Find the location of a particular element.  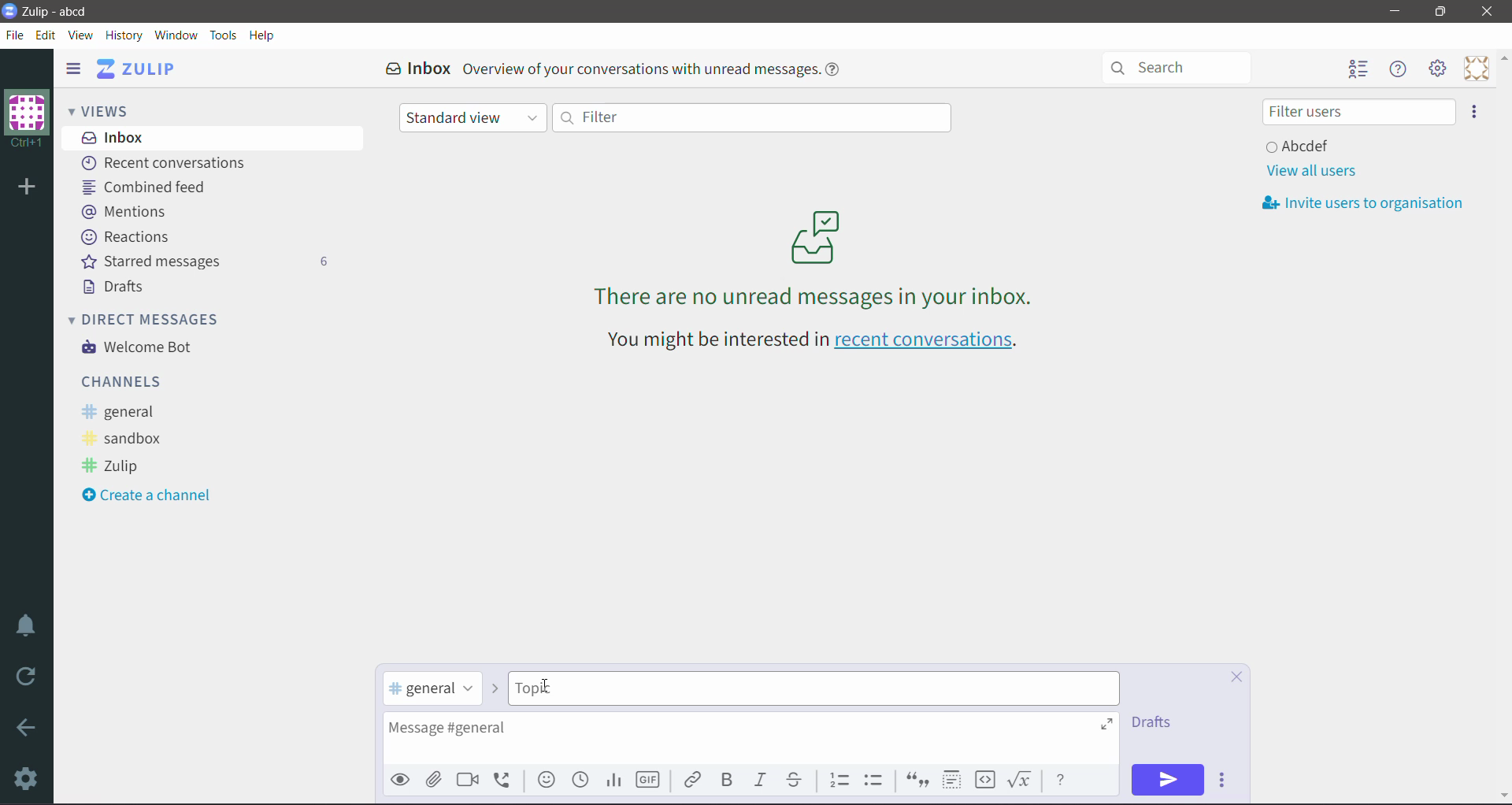

Settings is located at coordinates (28, 778).